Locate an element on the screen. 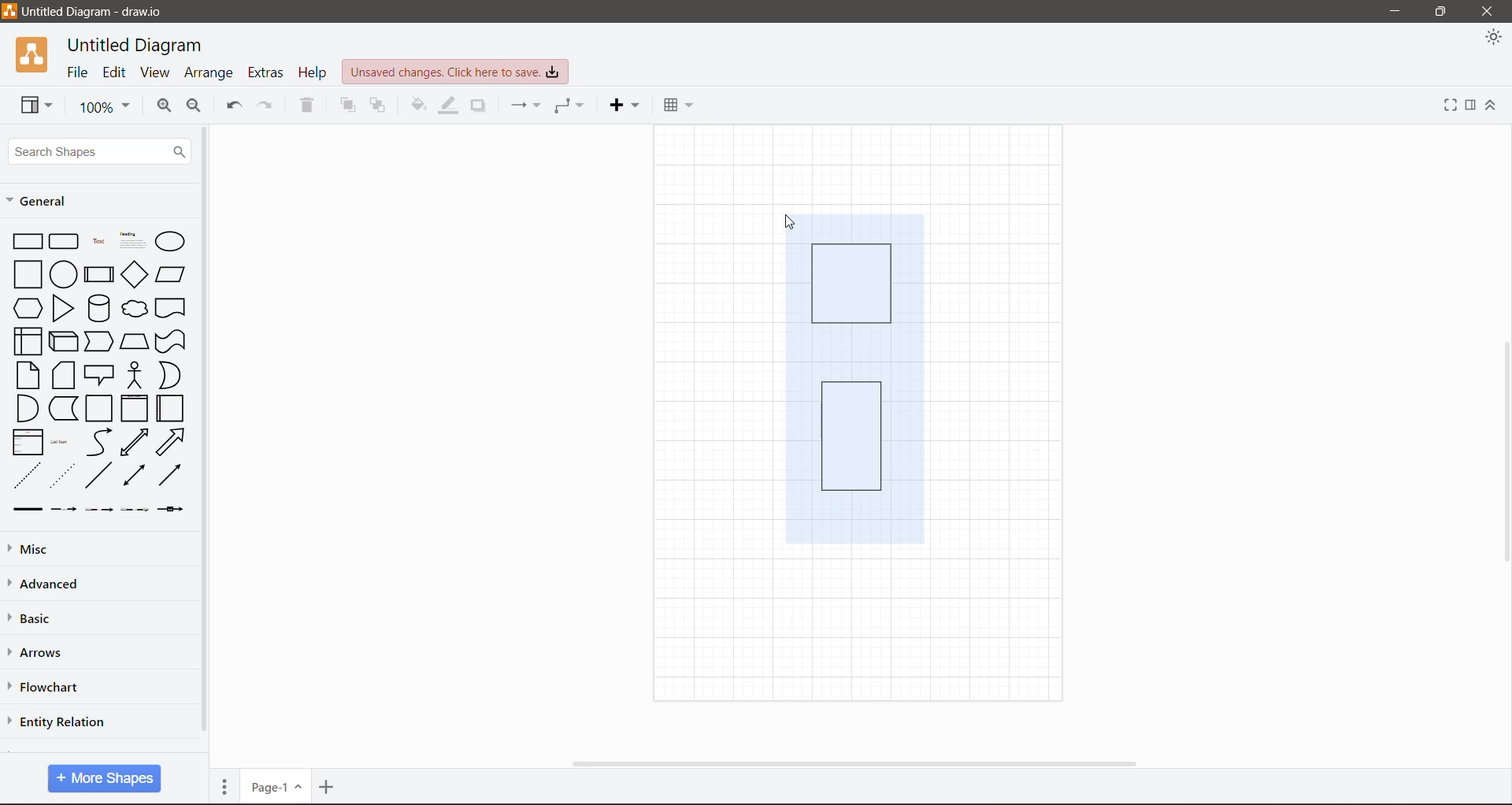 This screenshot has width=1512, height=805. Page Number is located at coordinates (276, 786).